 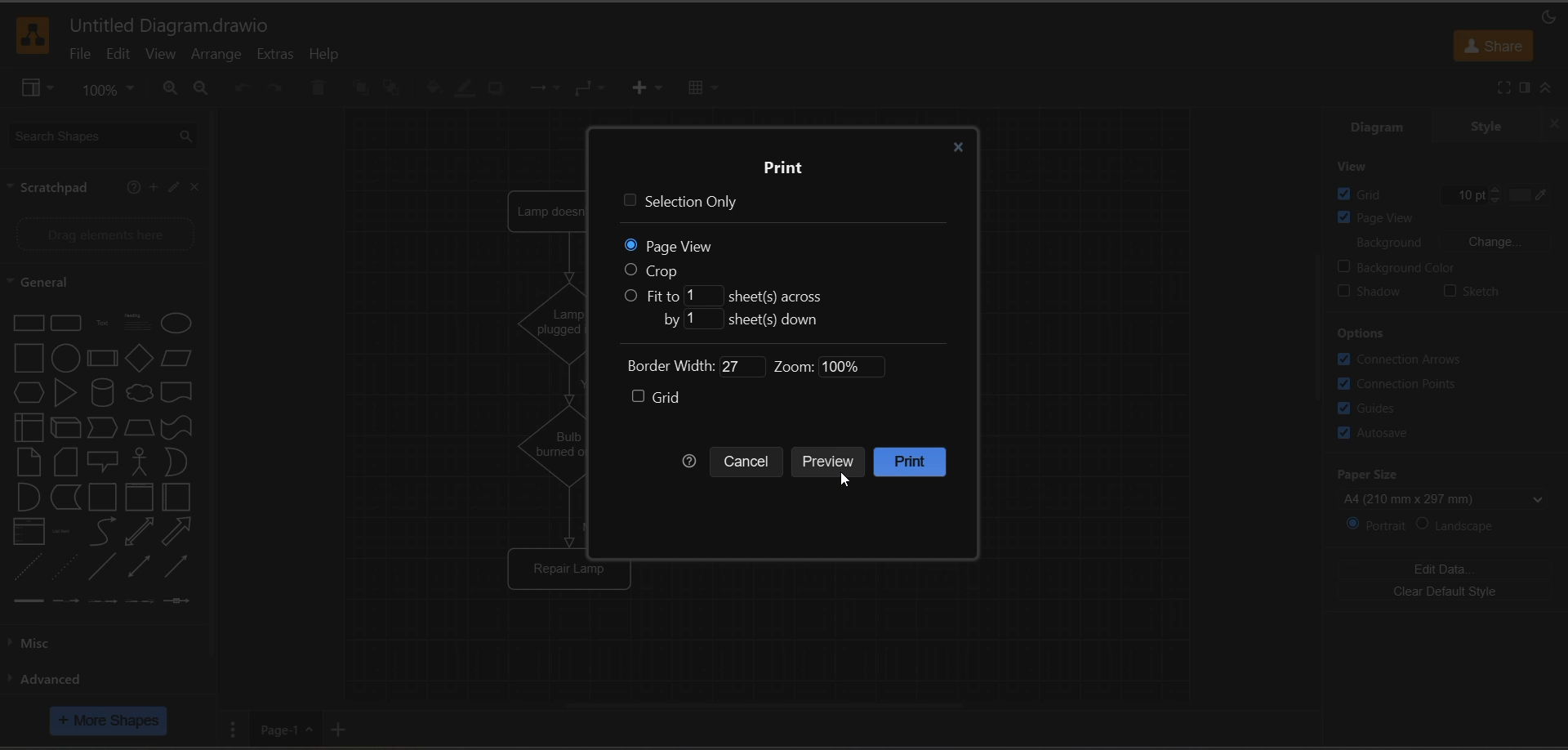 I want to click on connection, so click(x=543, y=88).